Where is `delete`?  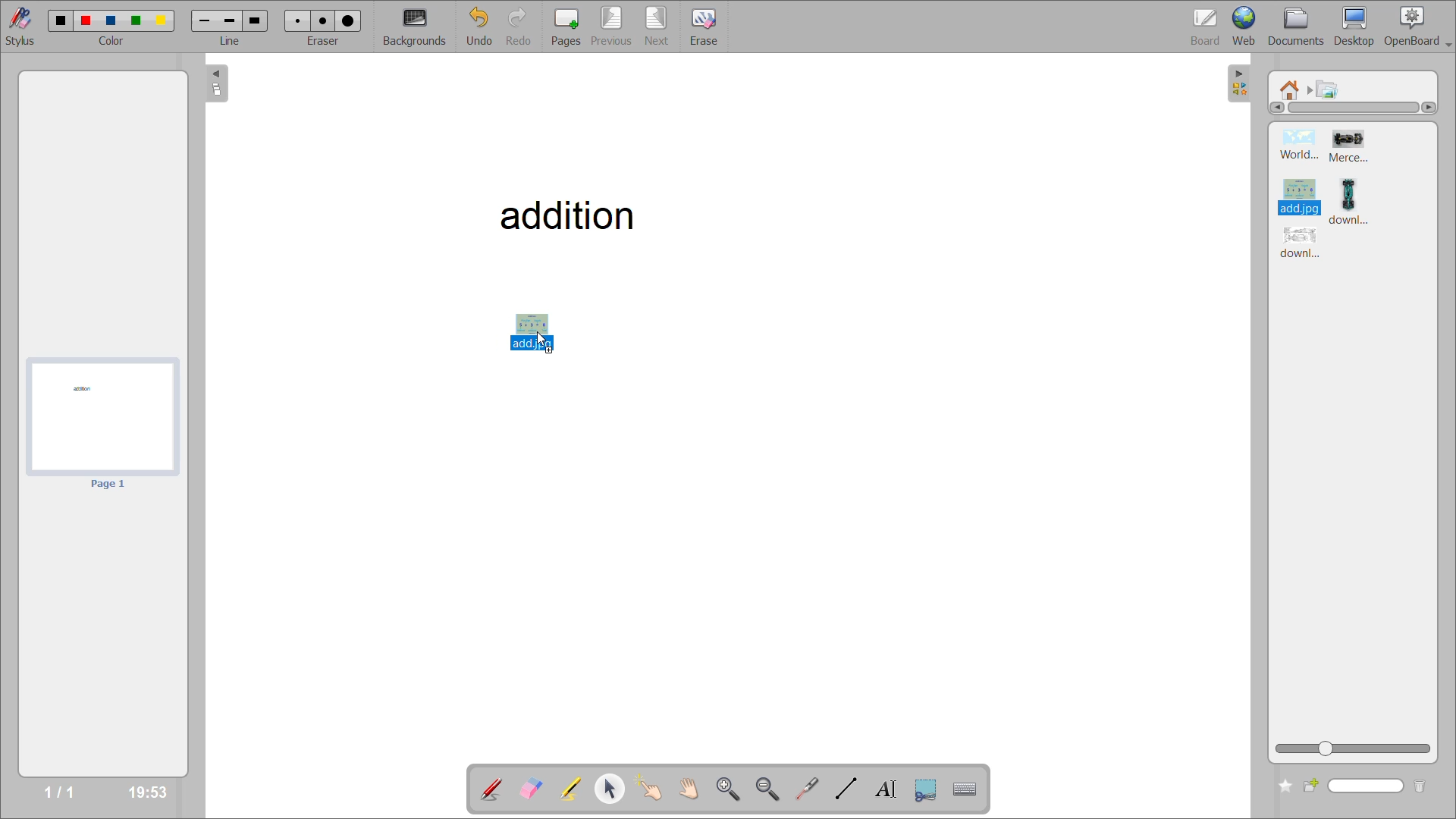 delete is located at coordinates (1423, 787).